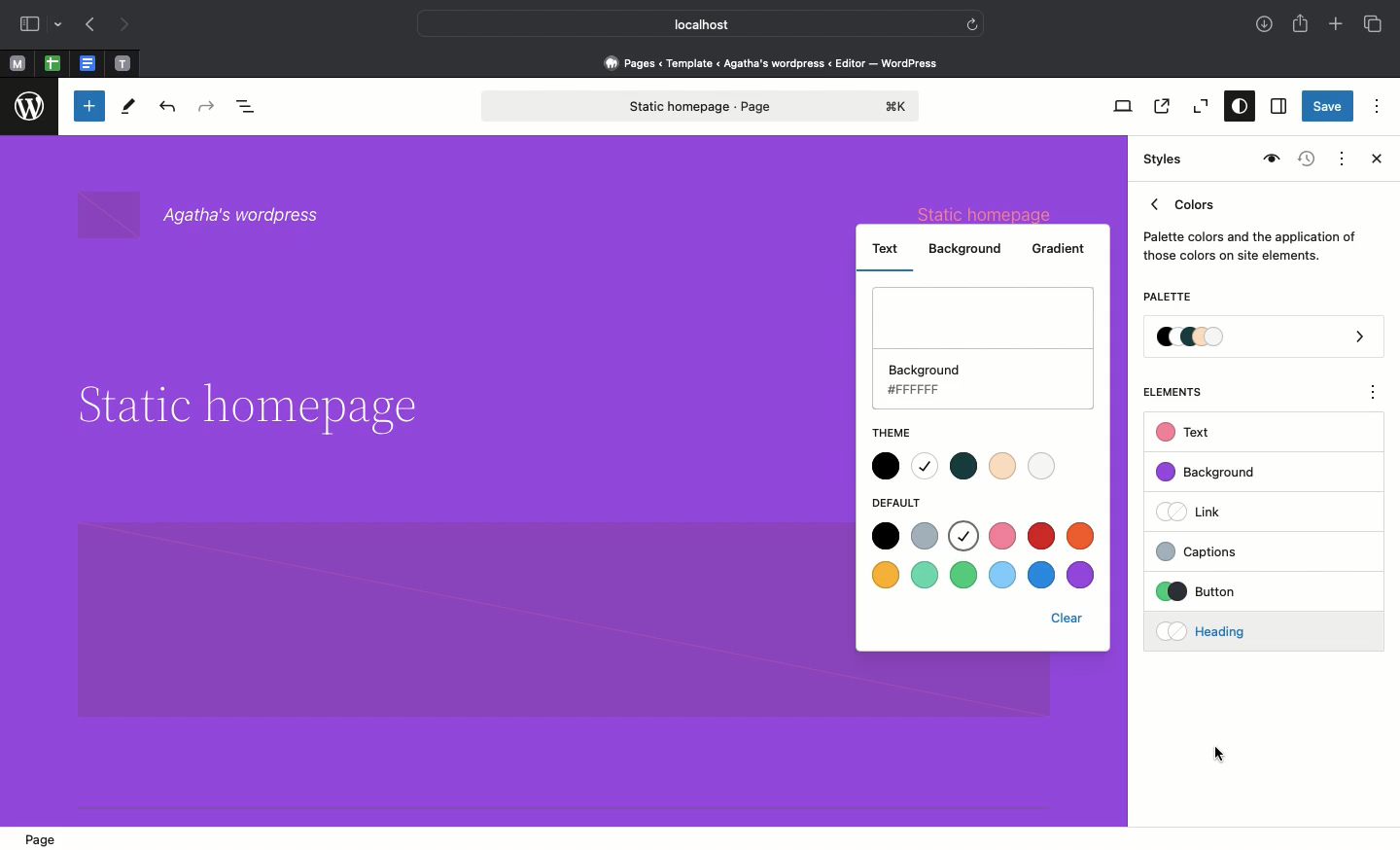  Describe the element at coordinates (1186, 433) in the screenshot. I see `Text` at that location.